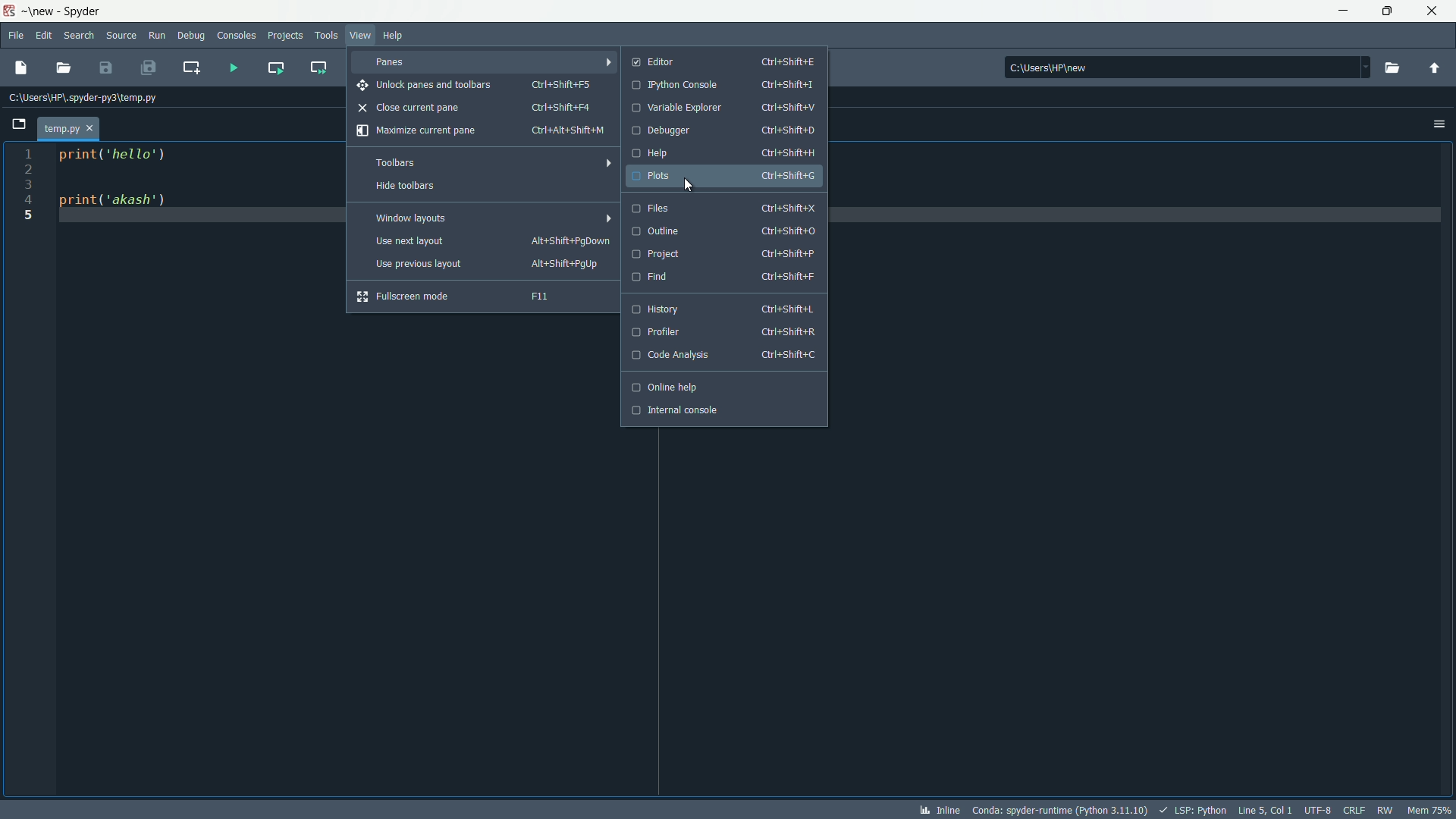  What do you see at coordinates (724, 277) in the screenshot?
I see `find` at bounding box center [724, 277].